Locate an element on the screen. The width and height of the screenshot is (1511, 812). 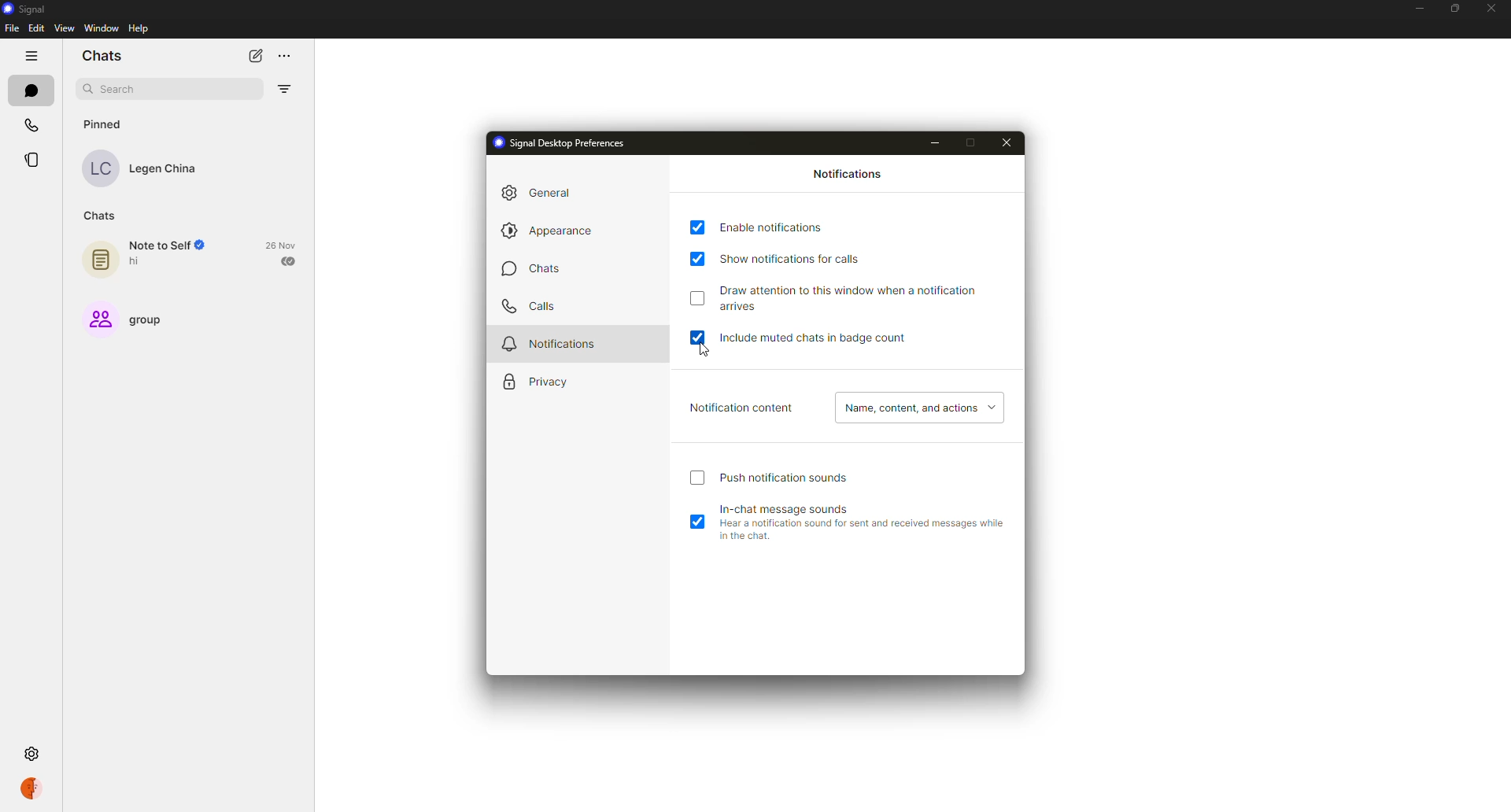
click to enable is located at coordinates (697, 478).